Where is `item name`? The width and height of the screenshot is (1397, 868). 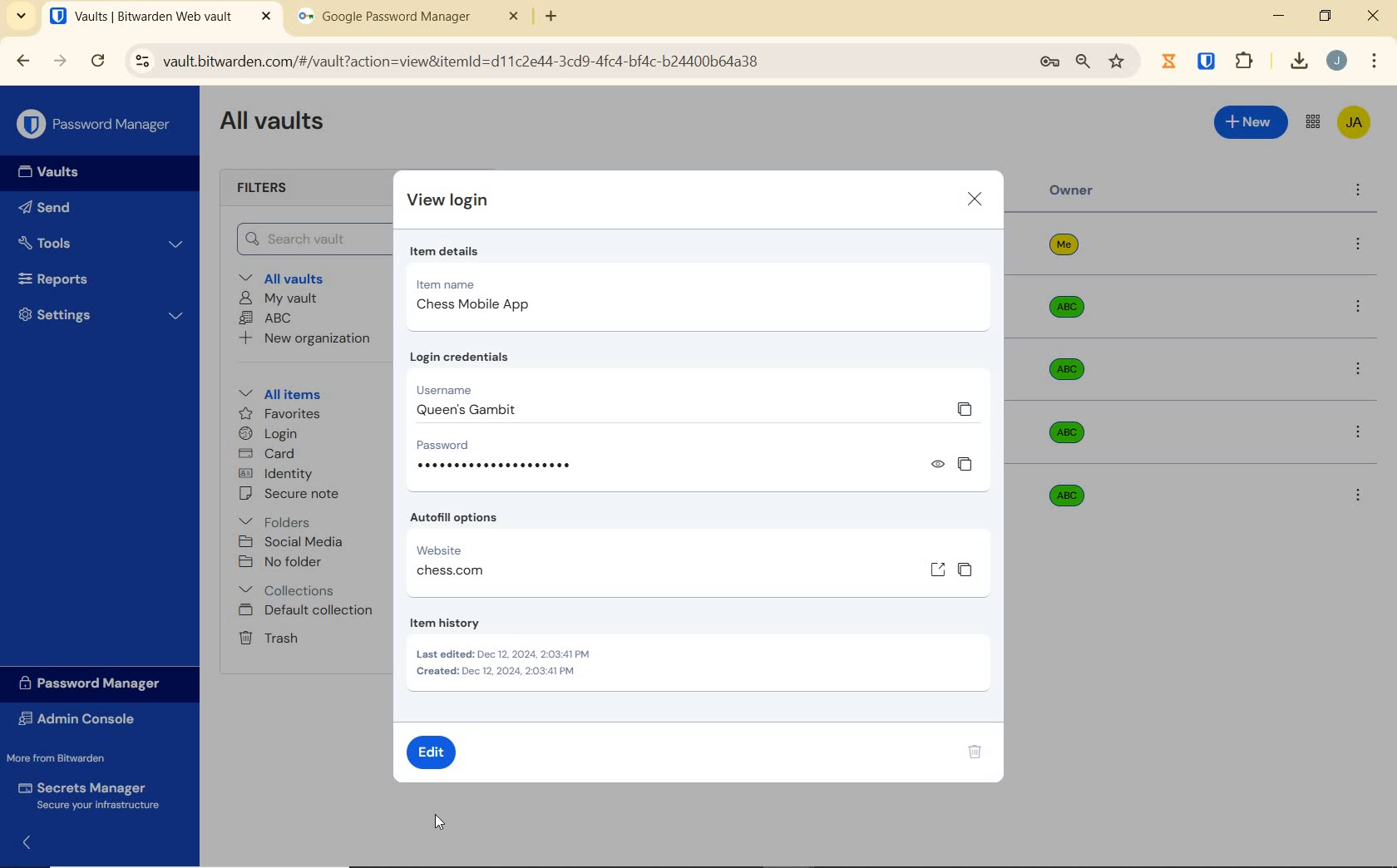
item name is located at coordinates (477, 281).